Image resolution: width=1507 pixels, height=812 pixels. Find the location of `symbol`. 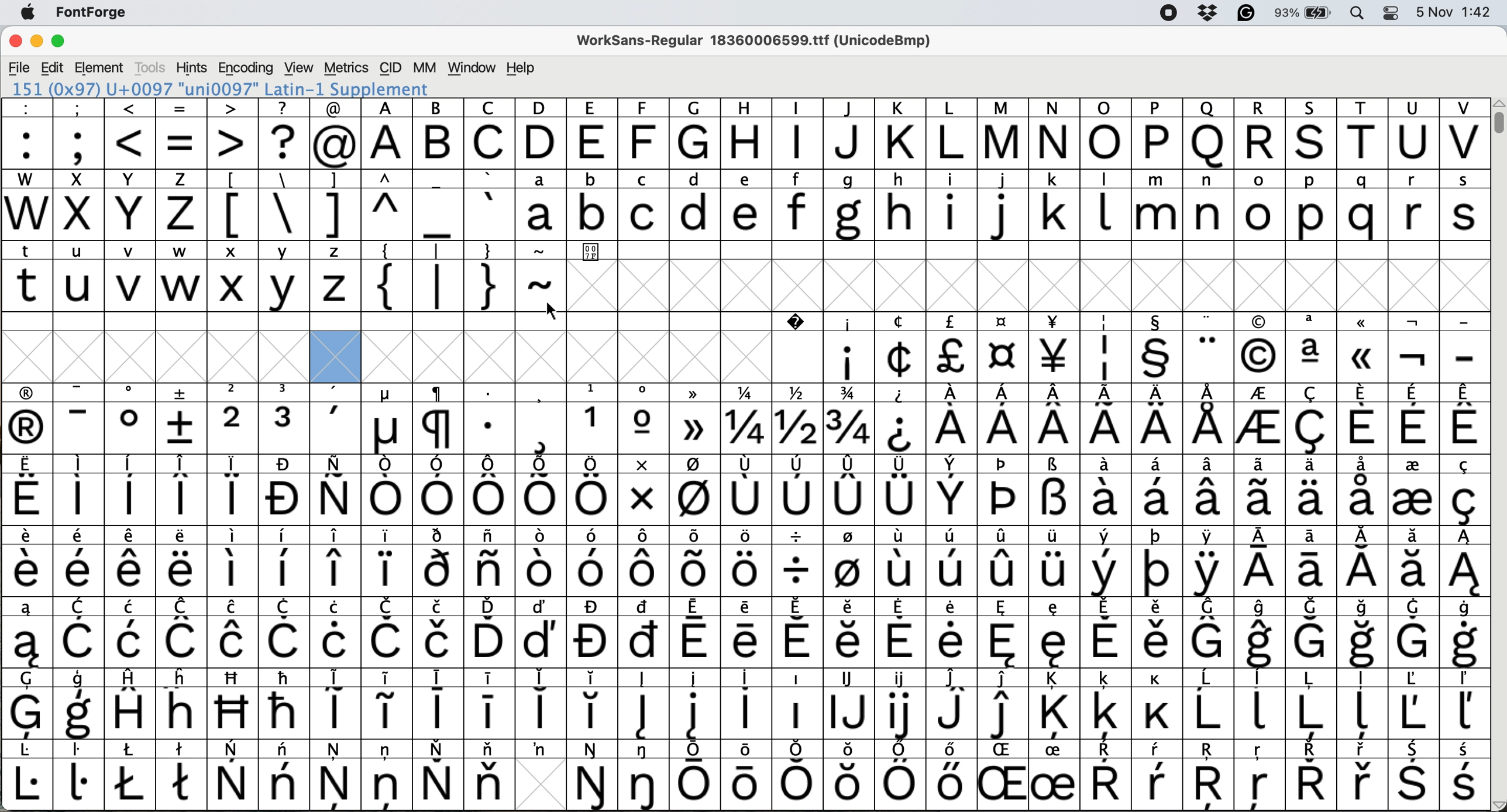

symbol is located at coordinates (133, 632).